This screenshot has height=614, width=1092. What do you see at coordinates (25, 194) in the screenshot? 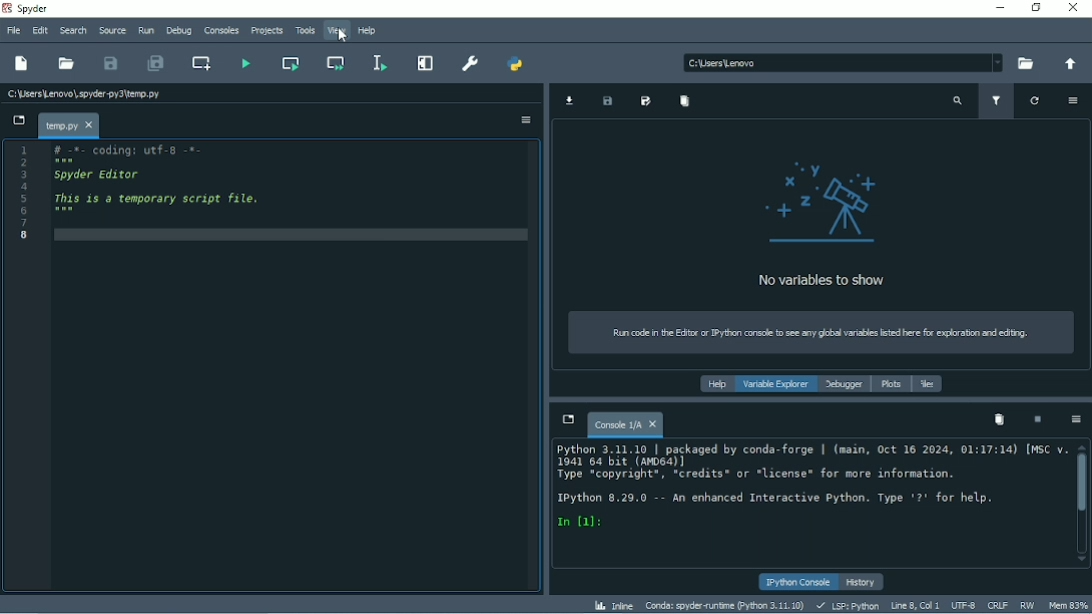
I see `Serial numbers` at bounding box center [25, 194].